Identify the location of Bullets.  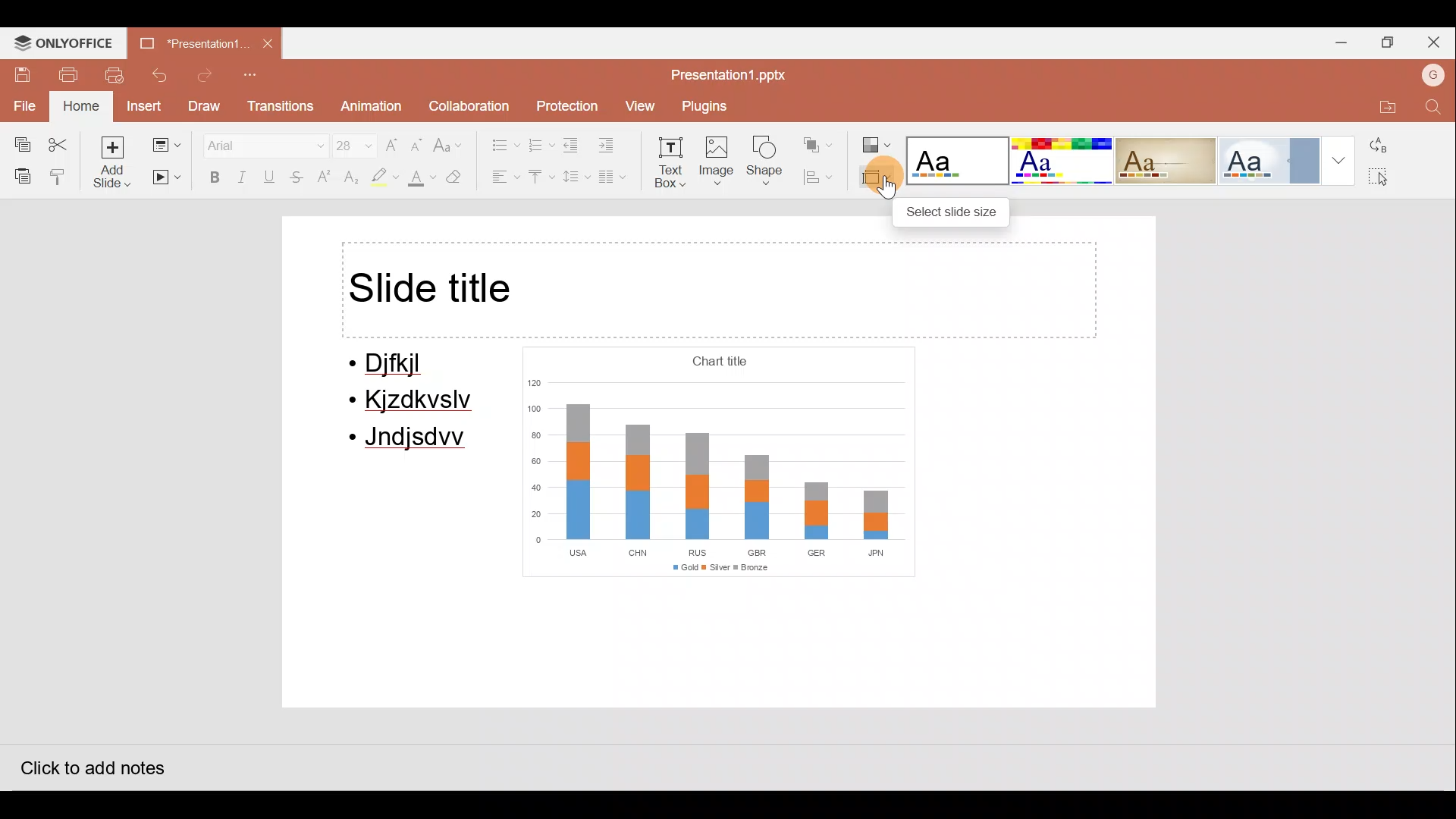
(497, 141).